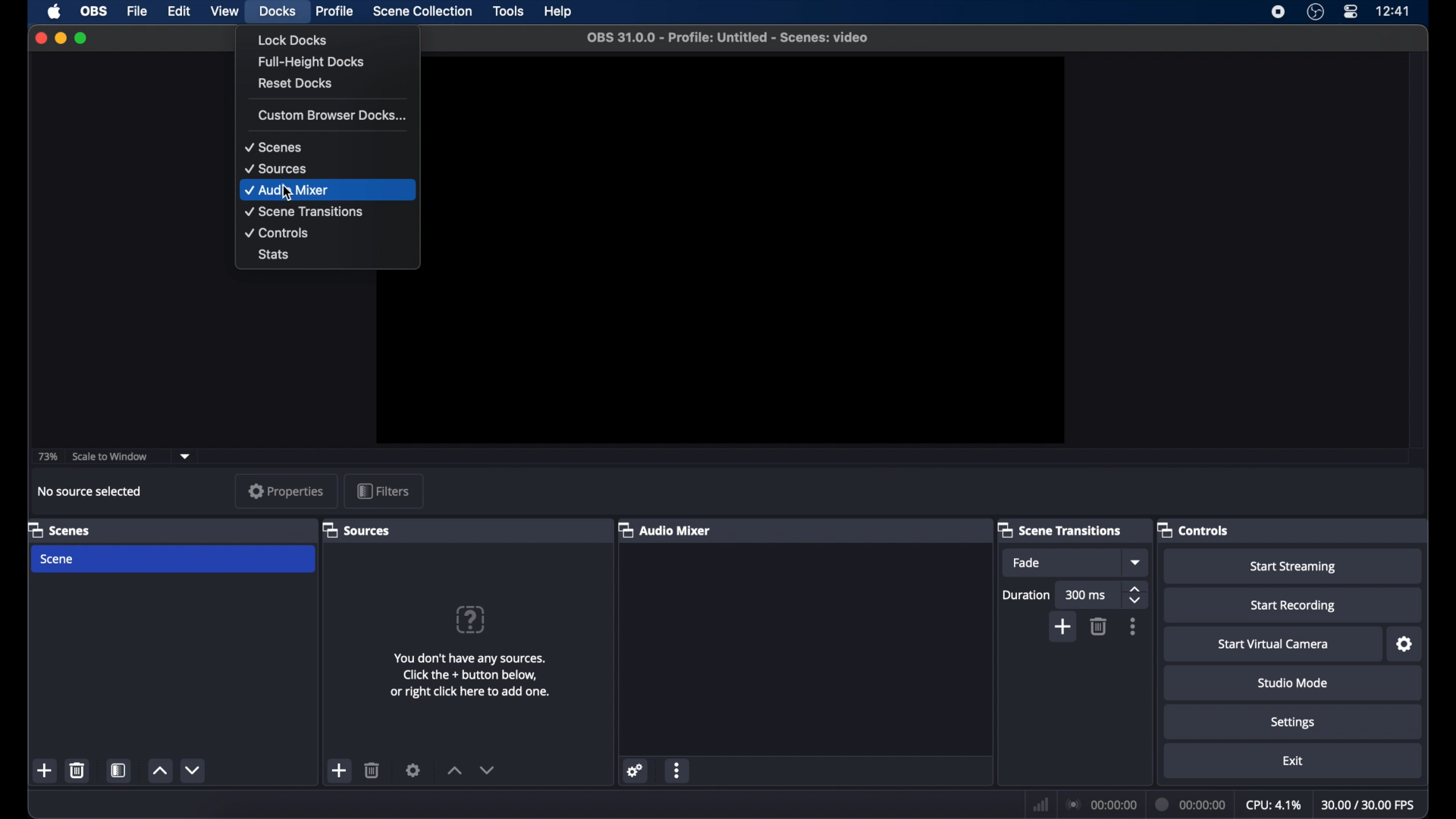  I want to click on dropdown, so click(1137, 563).